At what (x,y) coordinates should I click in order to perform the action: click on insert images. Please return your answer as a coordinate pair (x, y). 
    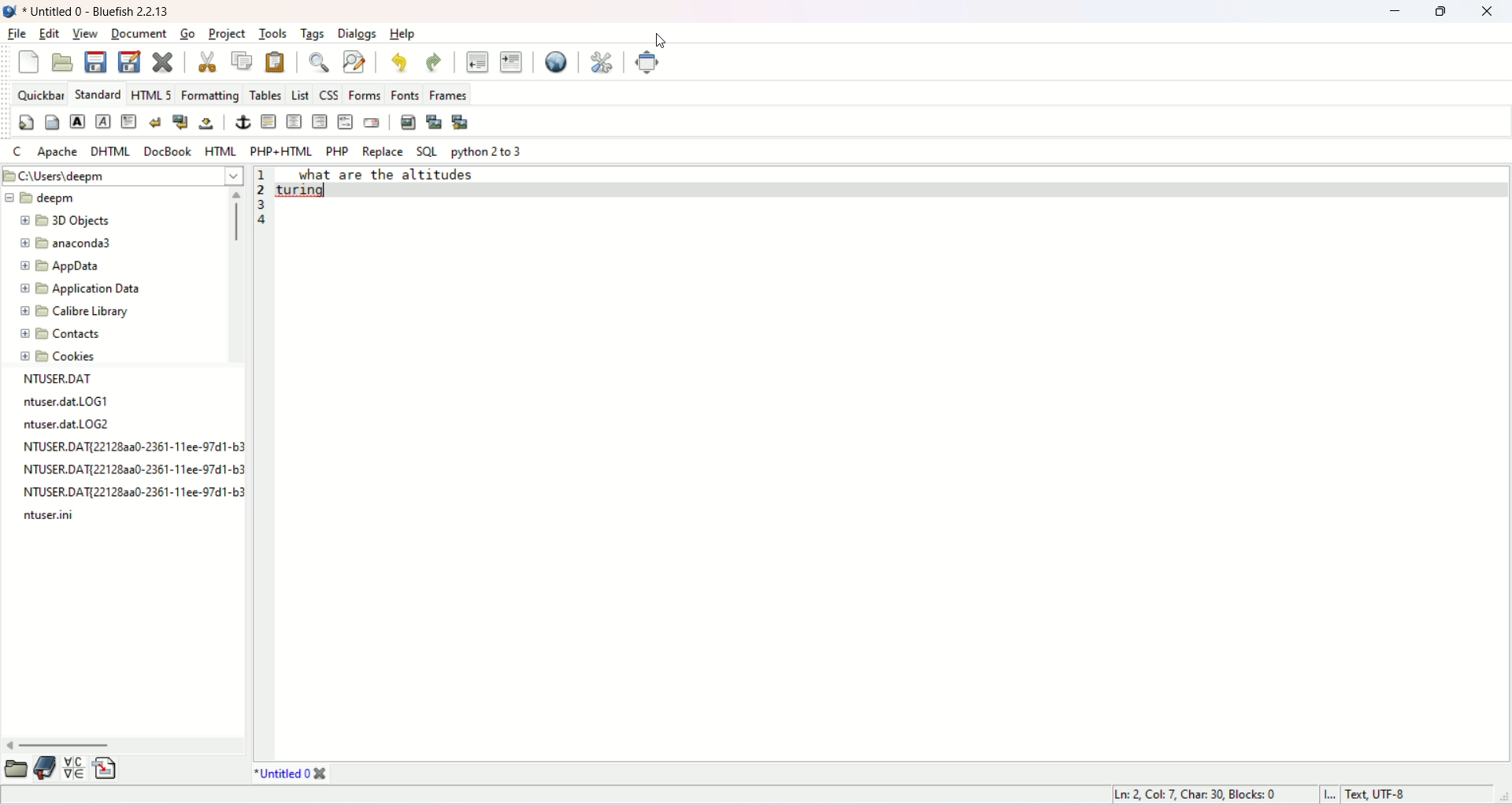
    Looking at the image, I should click on (408, 121).